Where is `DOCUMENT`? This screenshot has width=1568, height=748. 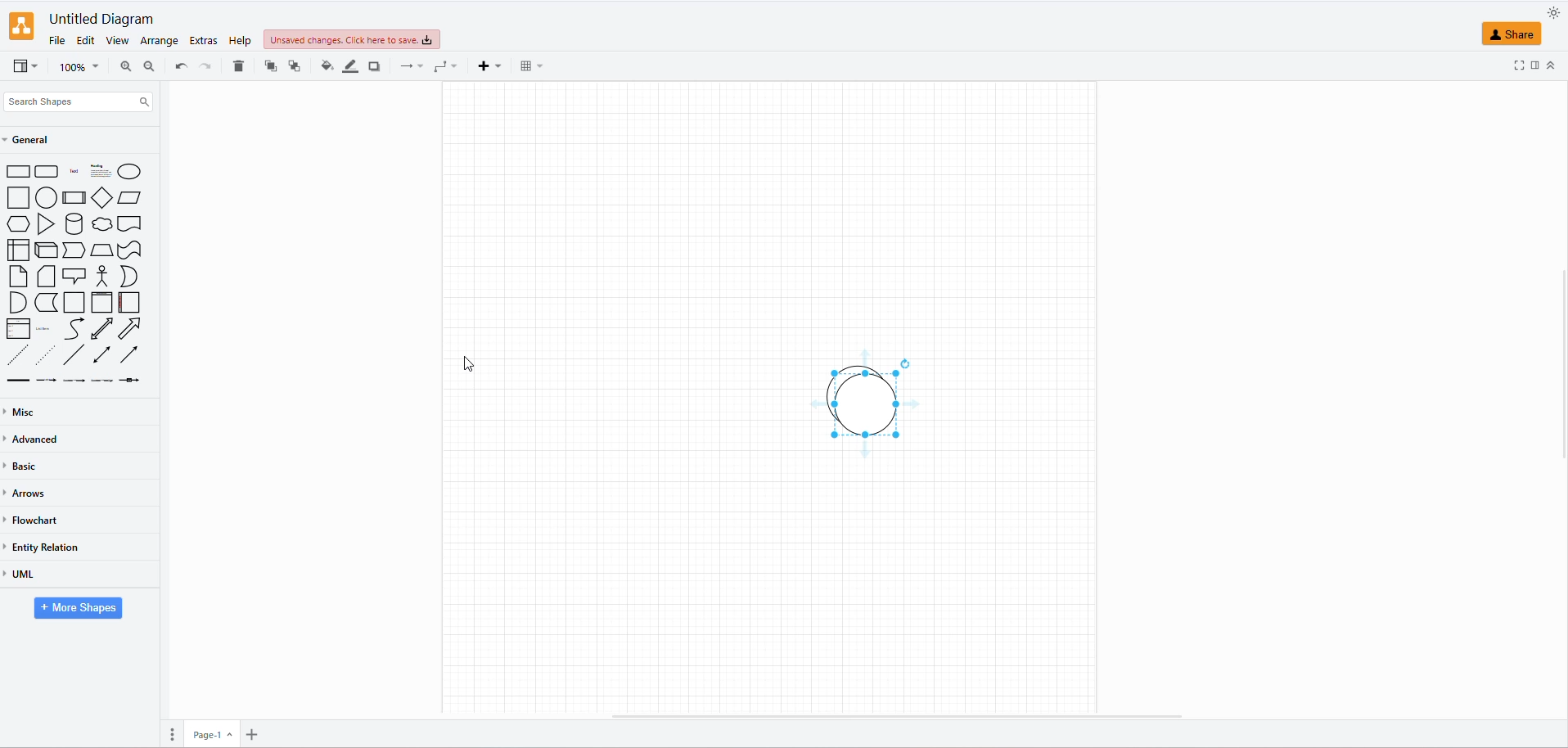
DOCUMENT is located at coordinates (129, 223).